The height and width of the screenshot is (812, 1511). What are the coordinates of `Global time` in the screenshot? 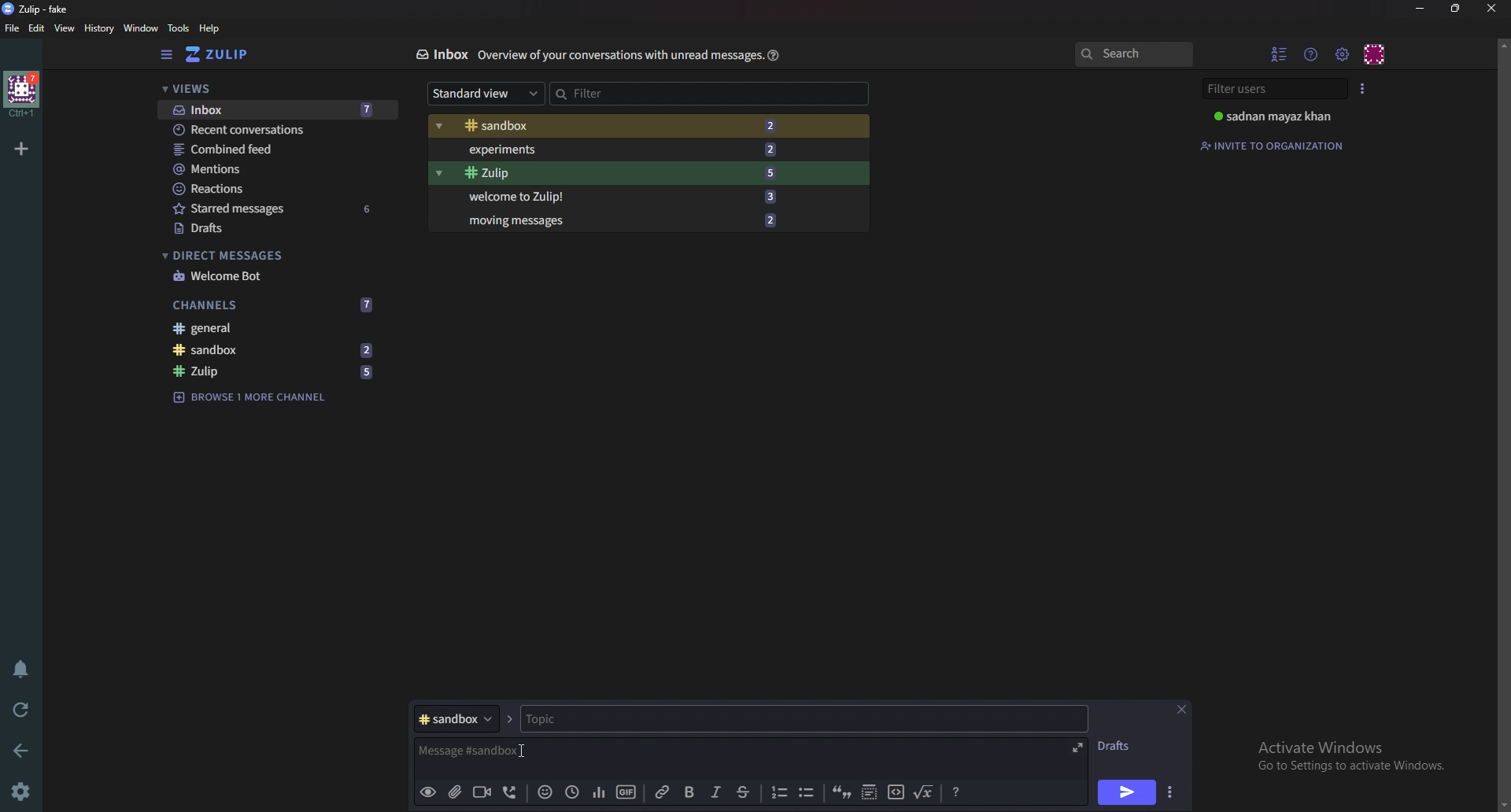 It's located at (571, 791).